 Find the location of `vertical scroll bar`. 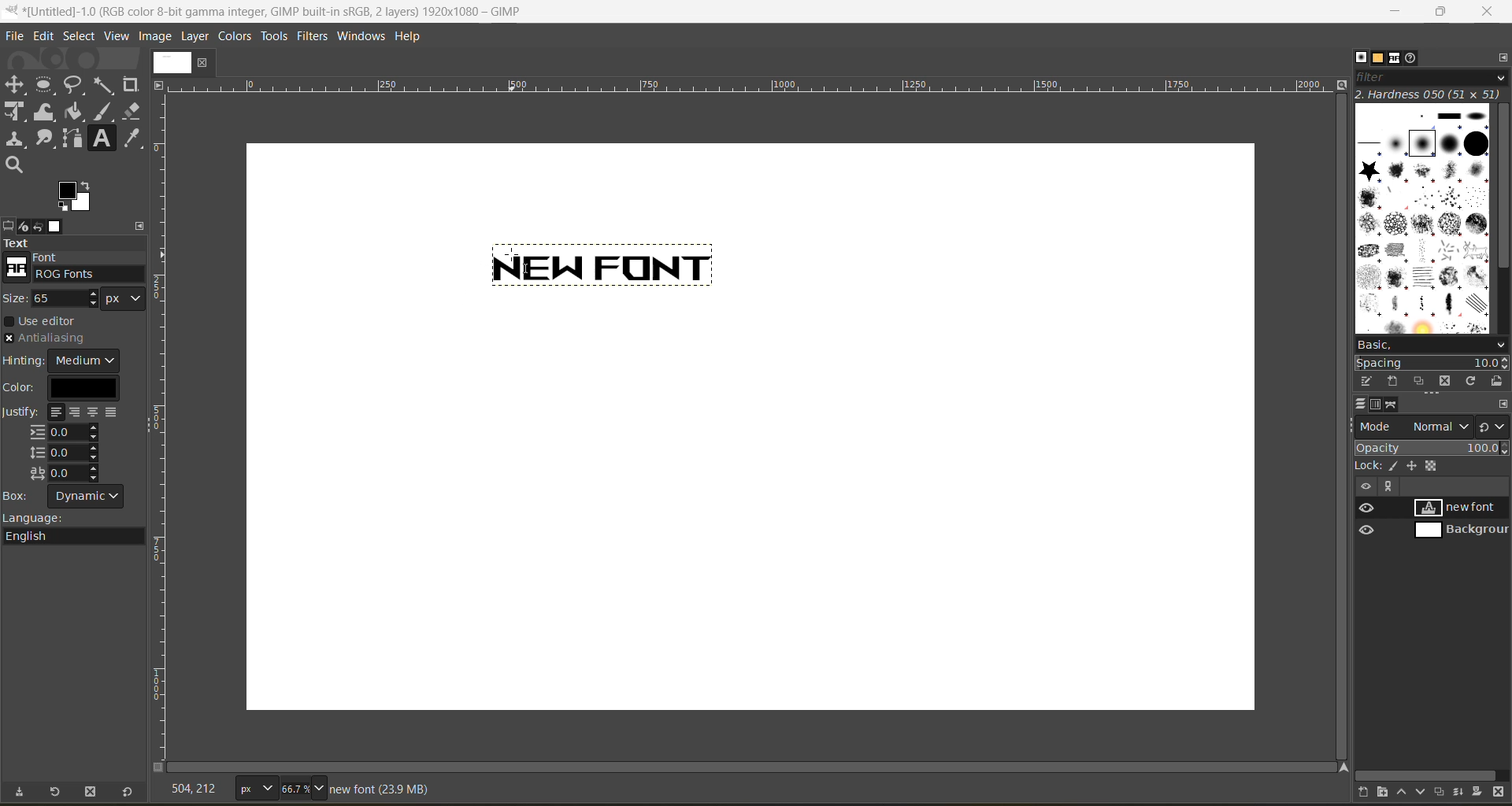

vertical scroll bar is located at coordinates (1503, 189).